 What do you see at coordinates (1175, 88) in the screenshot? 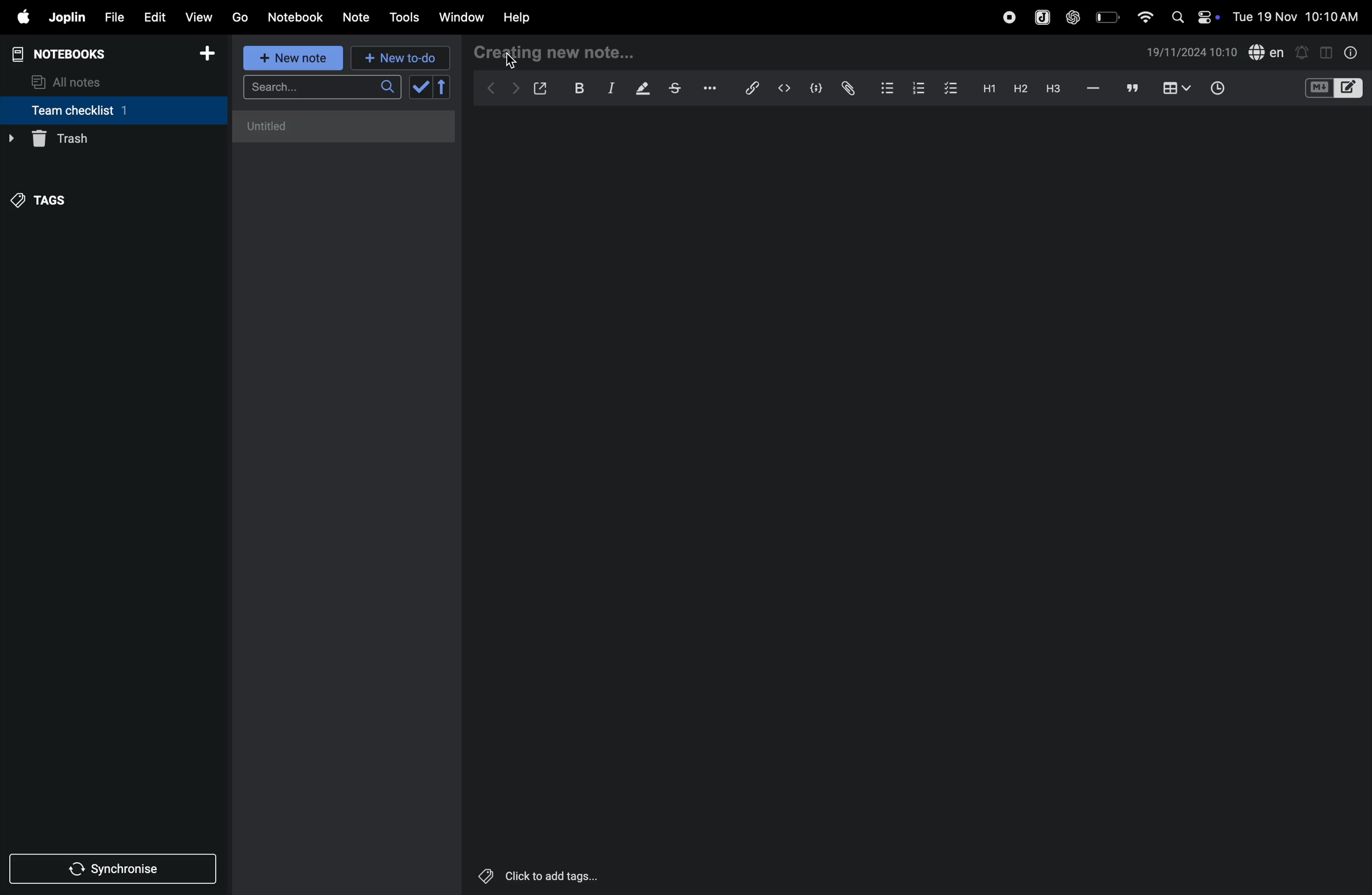
I see `table` at bounding box center [1175, 88].